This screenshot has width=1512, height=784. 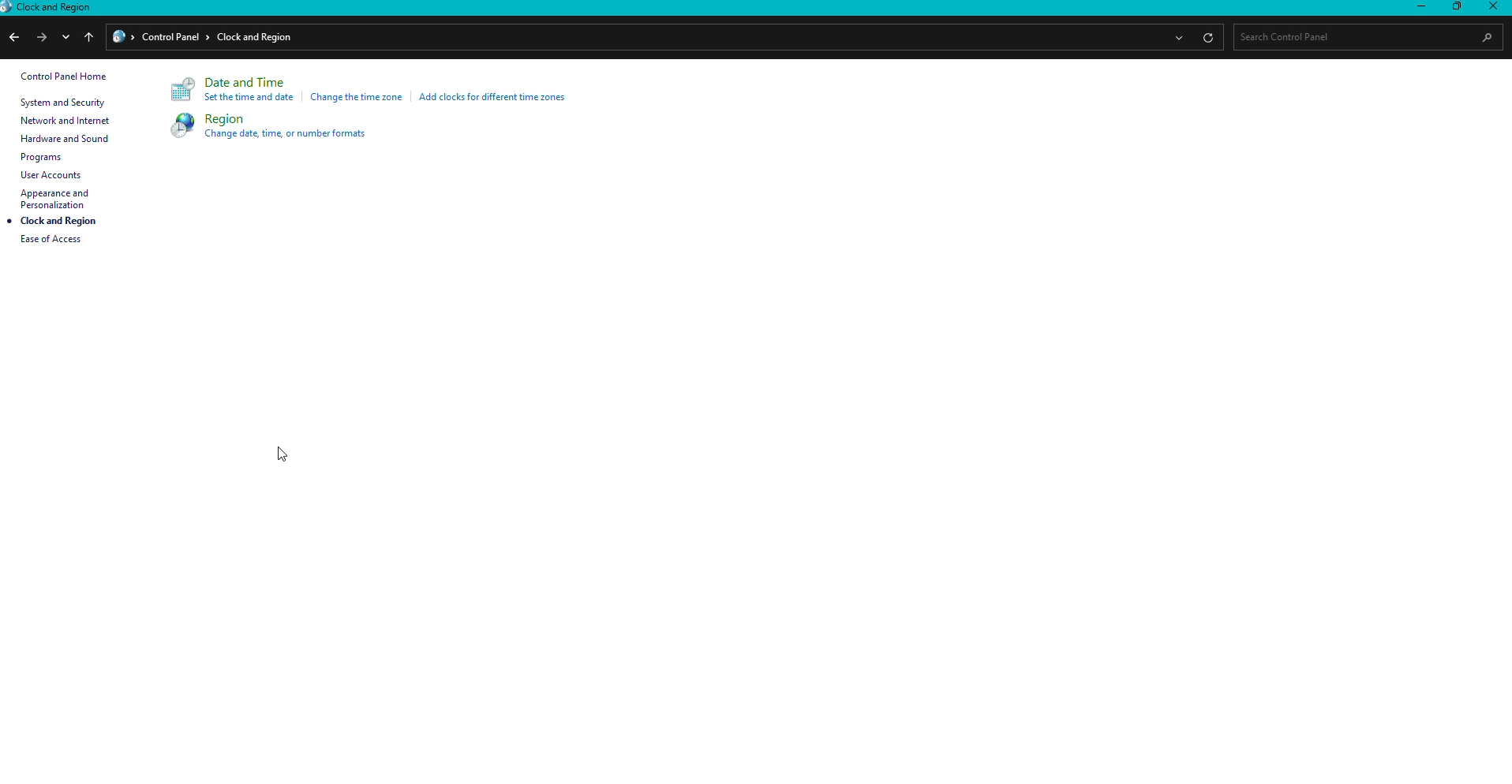 I want to click on next, so click(x=40, y=35).